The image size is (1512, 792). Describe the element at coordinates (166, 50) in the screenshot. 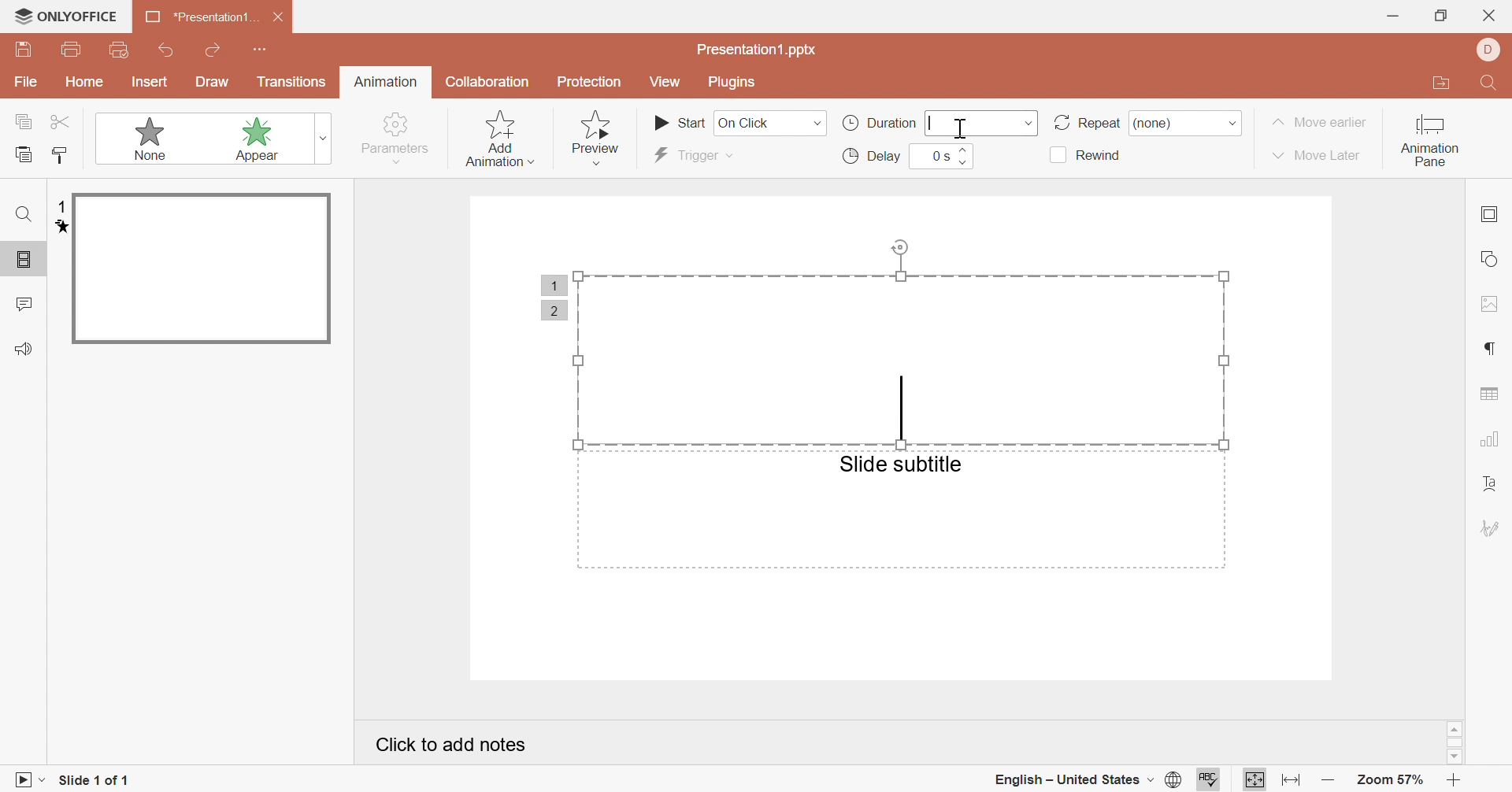

I see `undo` at that location.